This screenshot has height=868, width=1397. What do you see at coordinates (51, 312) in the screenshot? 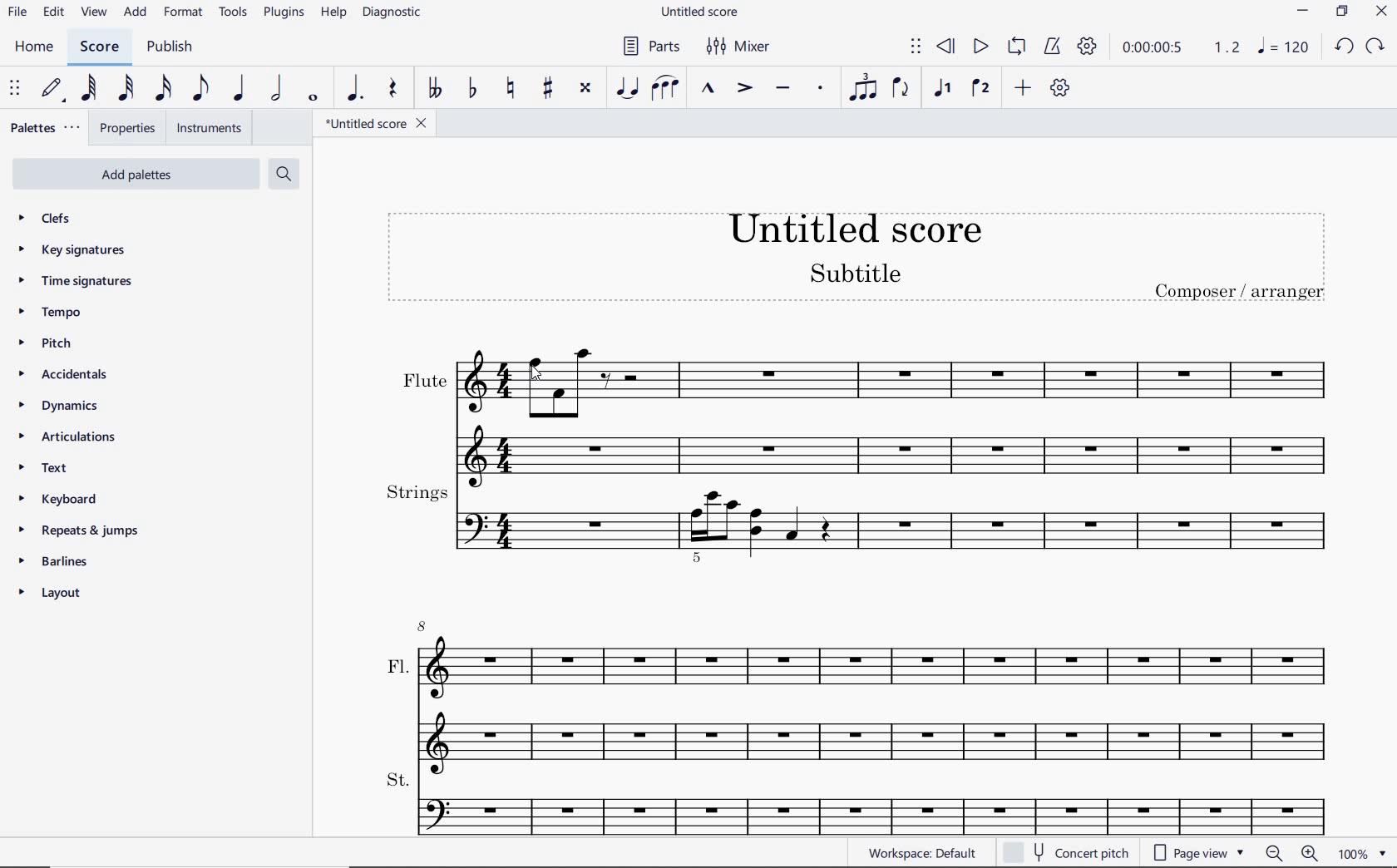
I see `tempo` at bounding box center [51, 312].